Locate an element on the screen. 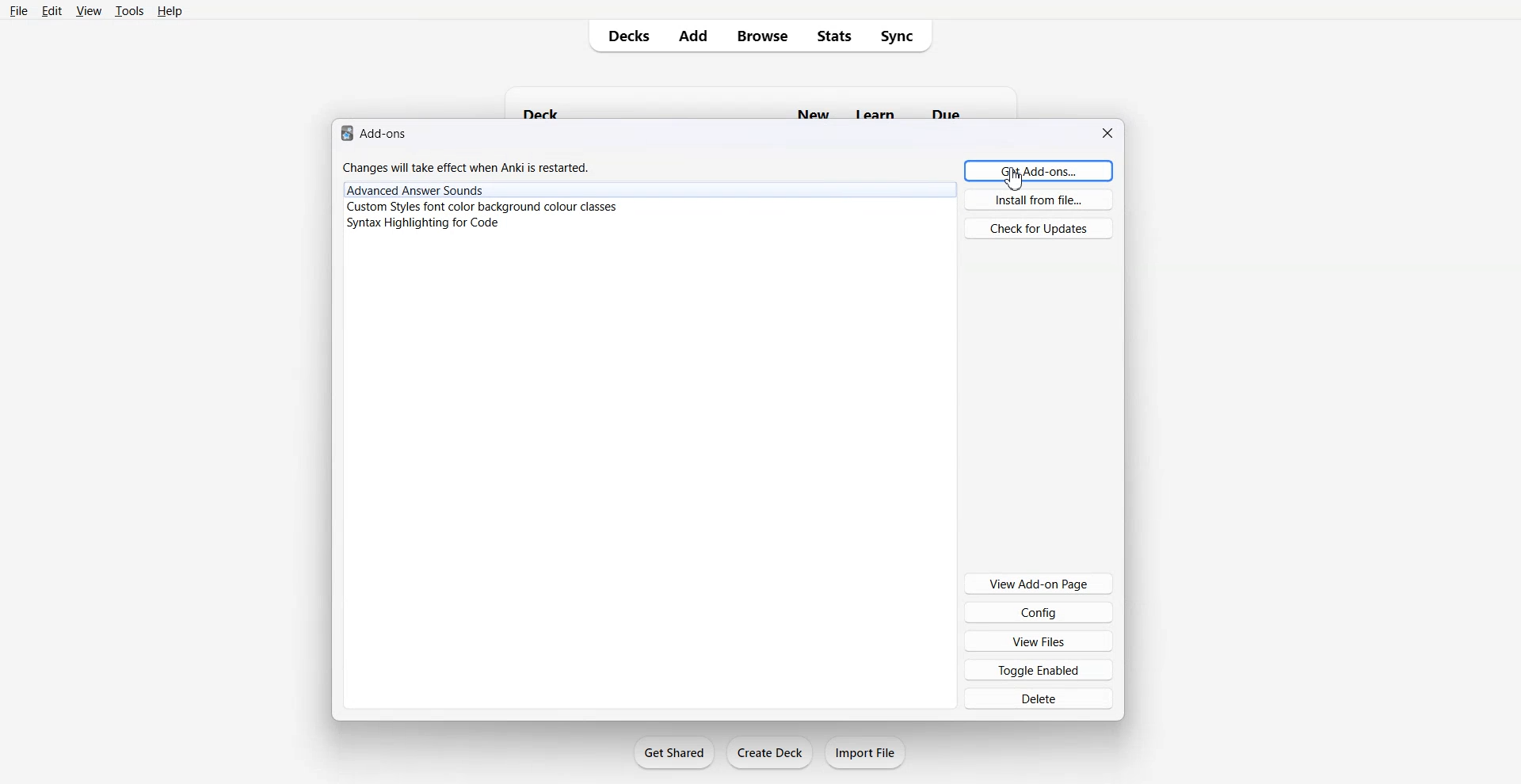 The height and width of the screenshot is (784, 1521). Create Deck is located at coordinates (769, 752).